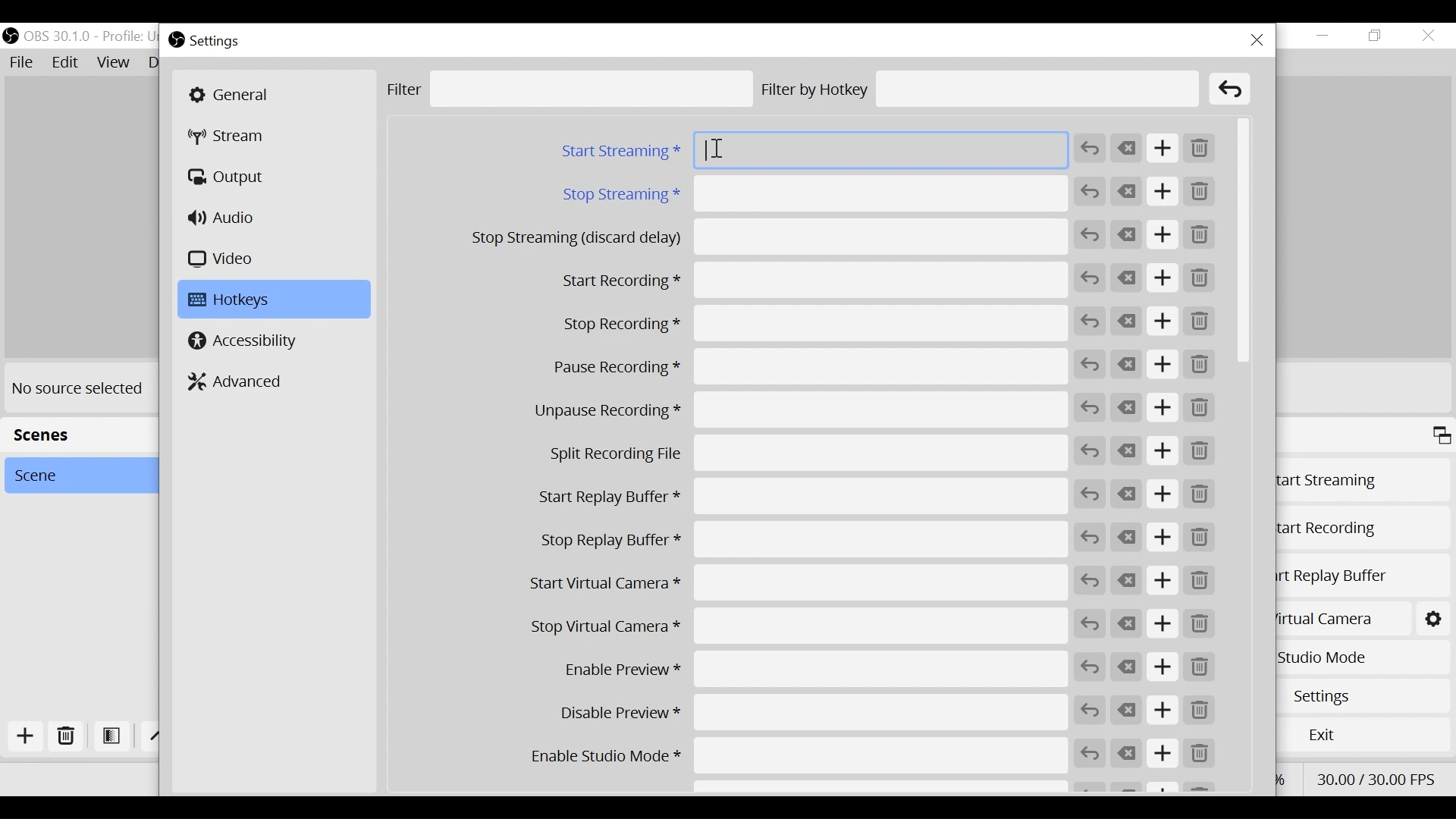  Describe the element at coordinates (1127, 235) in the screenshot. I see `Clear` at that location.